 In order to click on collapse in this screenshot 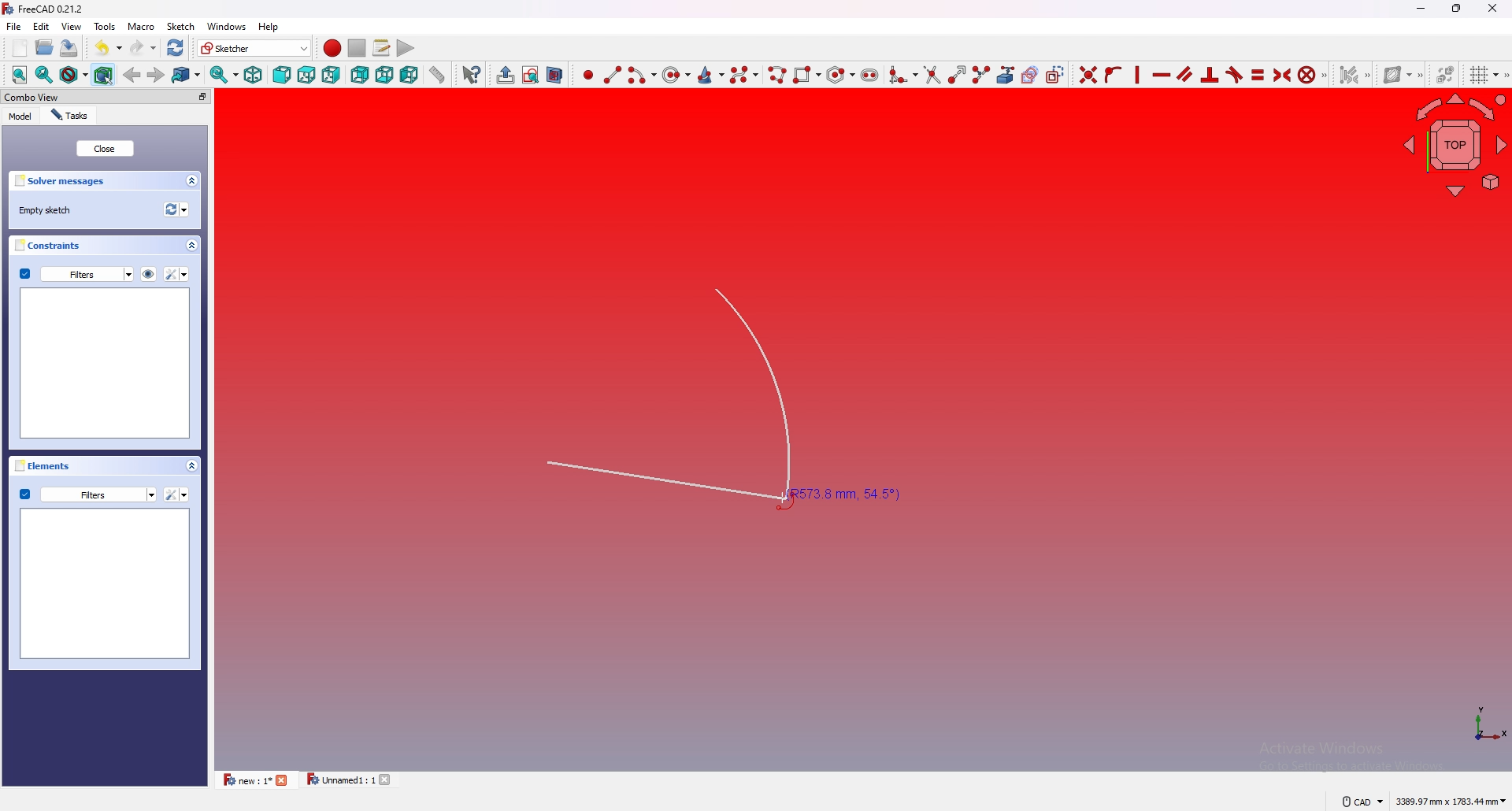, I will do `click(191, 465)`.